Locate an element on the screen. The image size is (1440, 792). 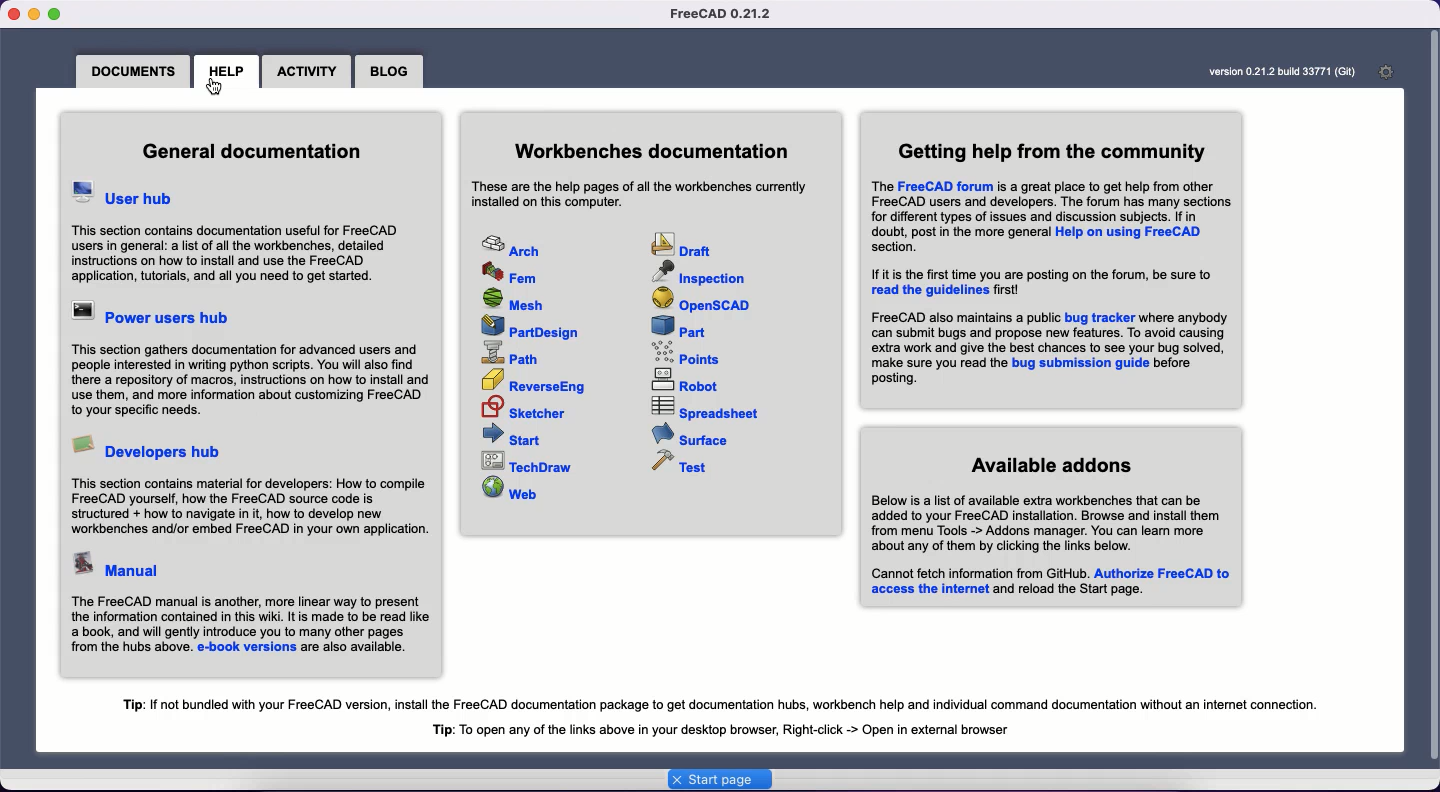
Help clicked is located at coordinates (224, 67).